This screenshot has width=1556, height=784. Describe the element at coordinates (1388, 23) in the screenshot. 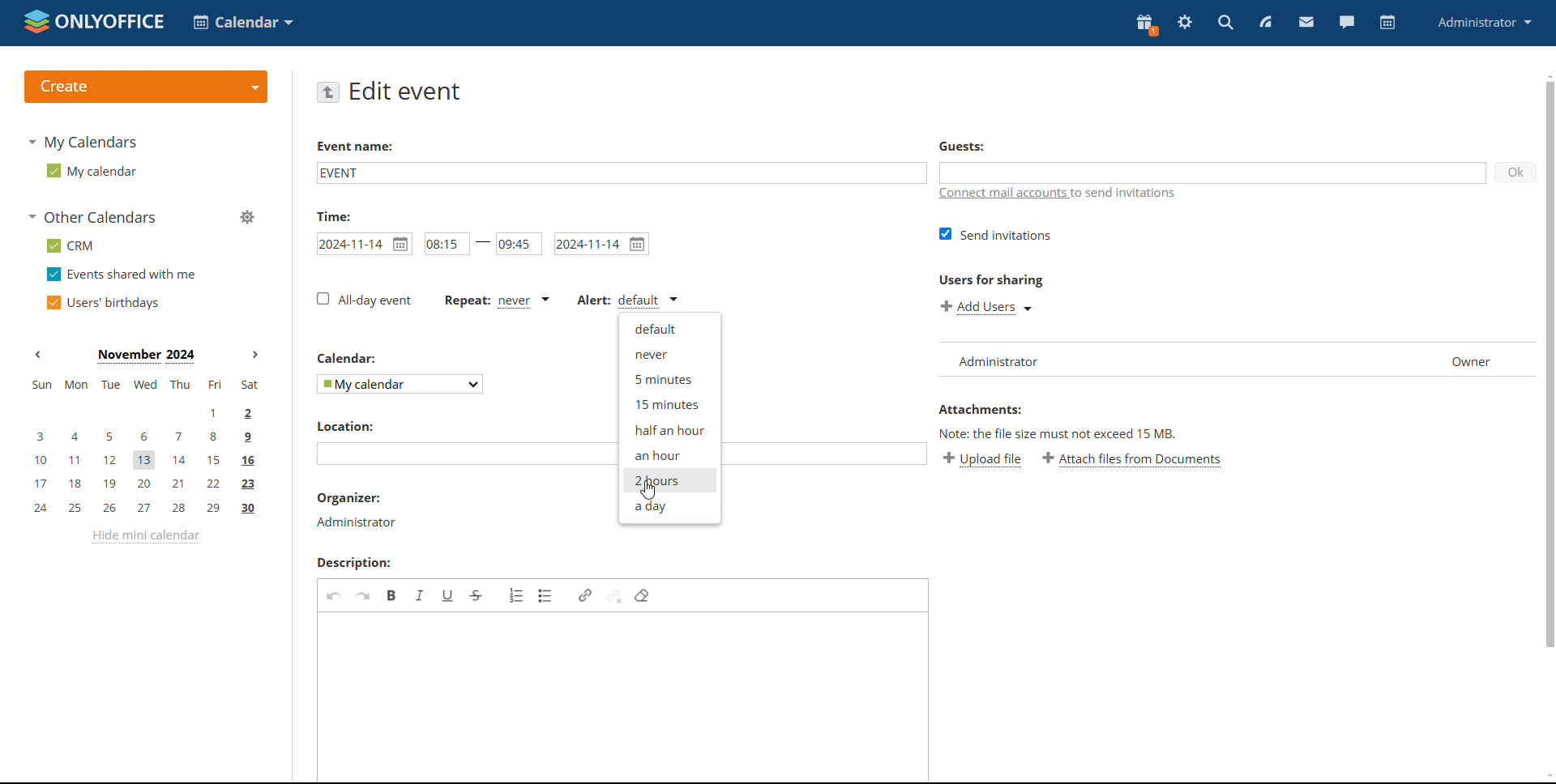

I see `calendar` at that location.